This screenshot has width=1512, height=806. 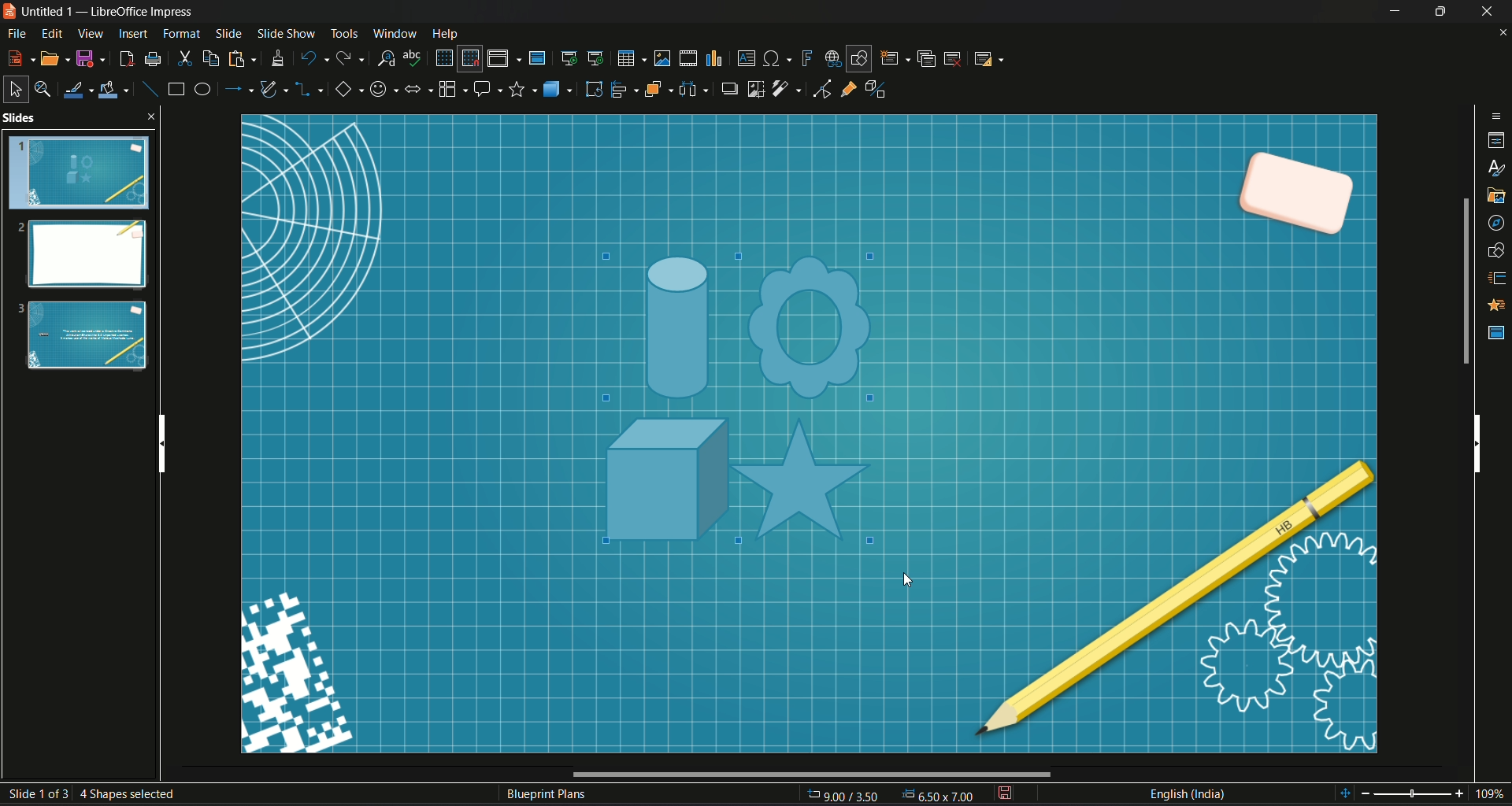 I want to click on callout share, so click(x=487, y=88).